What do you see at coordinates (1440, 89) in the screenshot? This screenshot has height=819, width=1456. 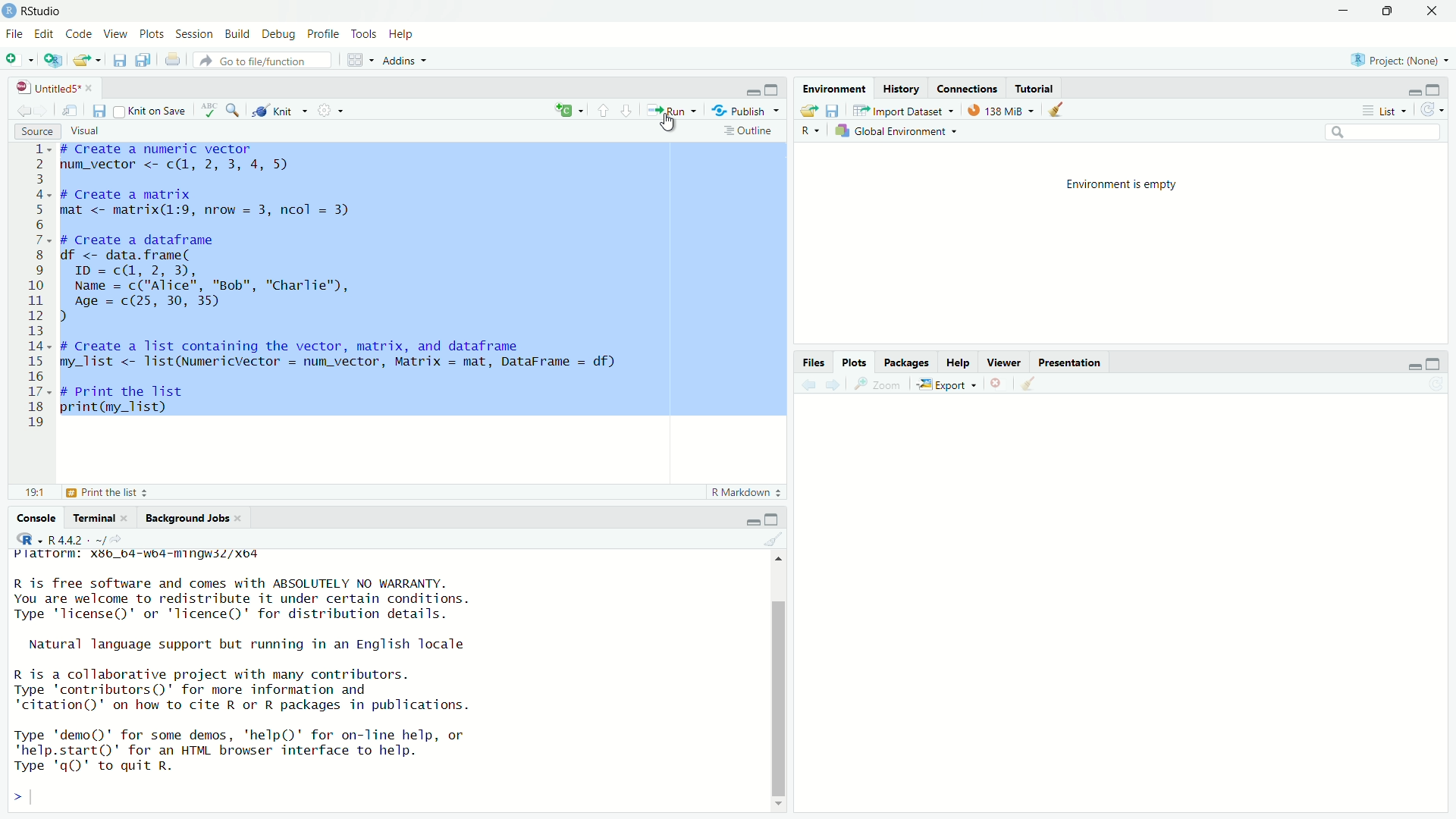 I see `maximise` at bounding box center [1440, 89].